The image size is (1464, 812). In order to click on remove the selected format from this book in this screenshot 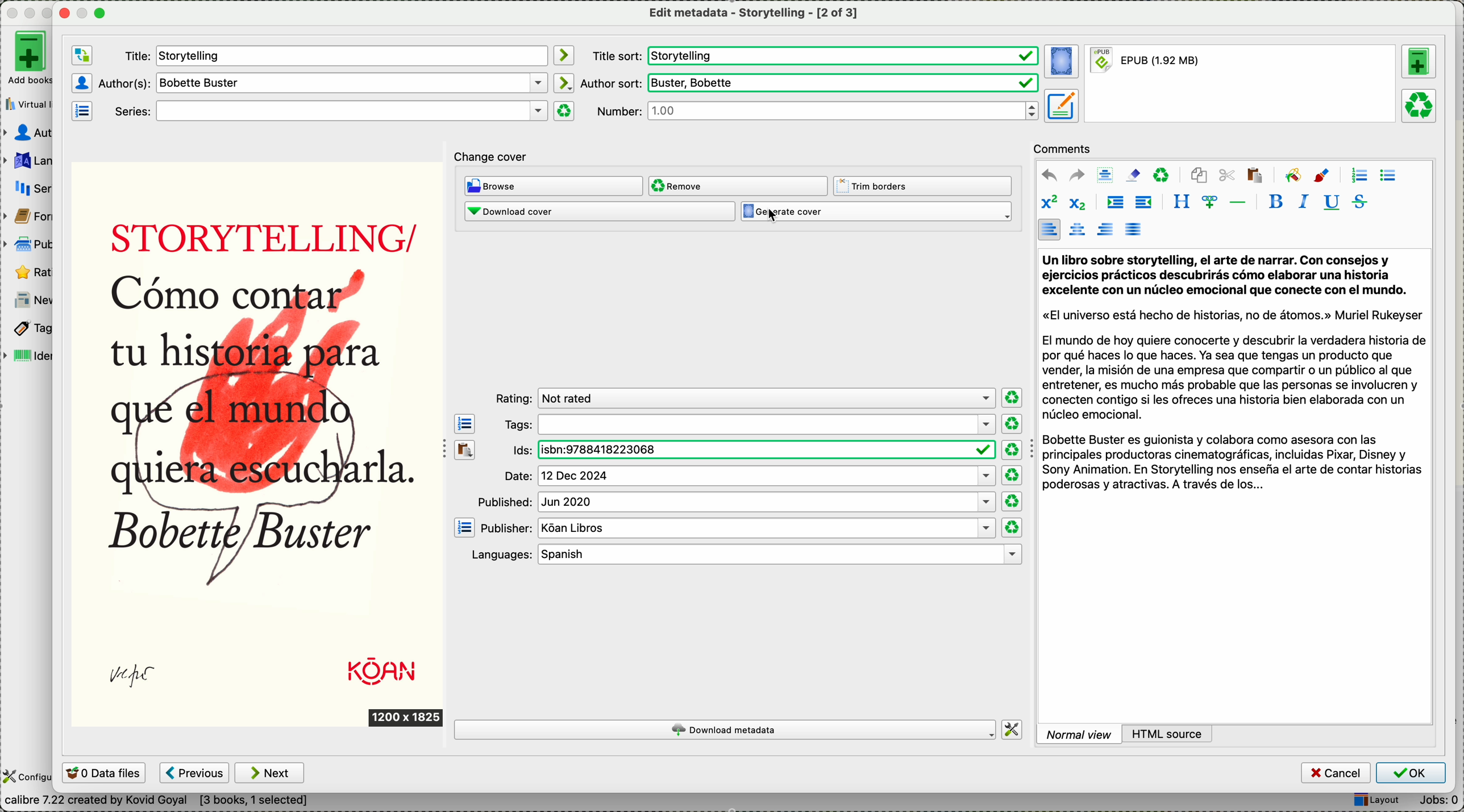, I will do `click(1420, 106)`.